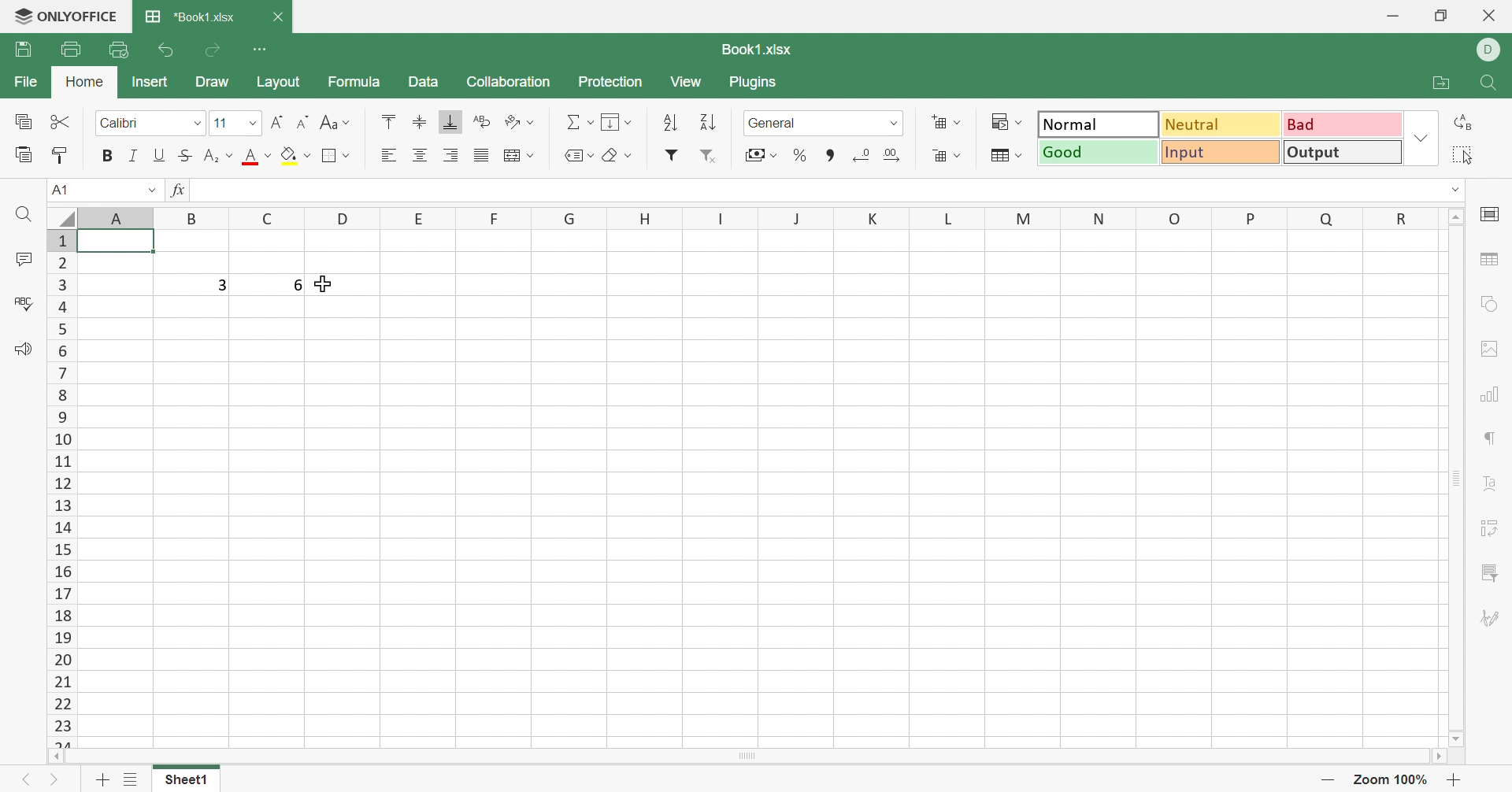 The height and width of the screenshot is (792, 1512). What do you see at coordinates (1220, 151) in the screenshot?
I see `Input` at bounding box center [1220, 151].